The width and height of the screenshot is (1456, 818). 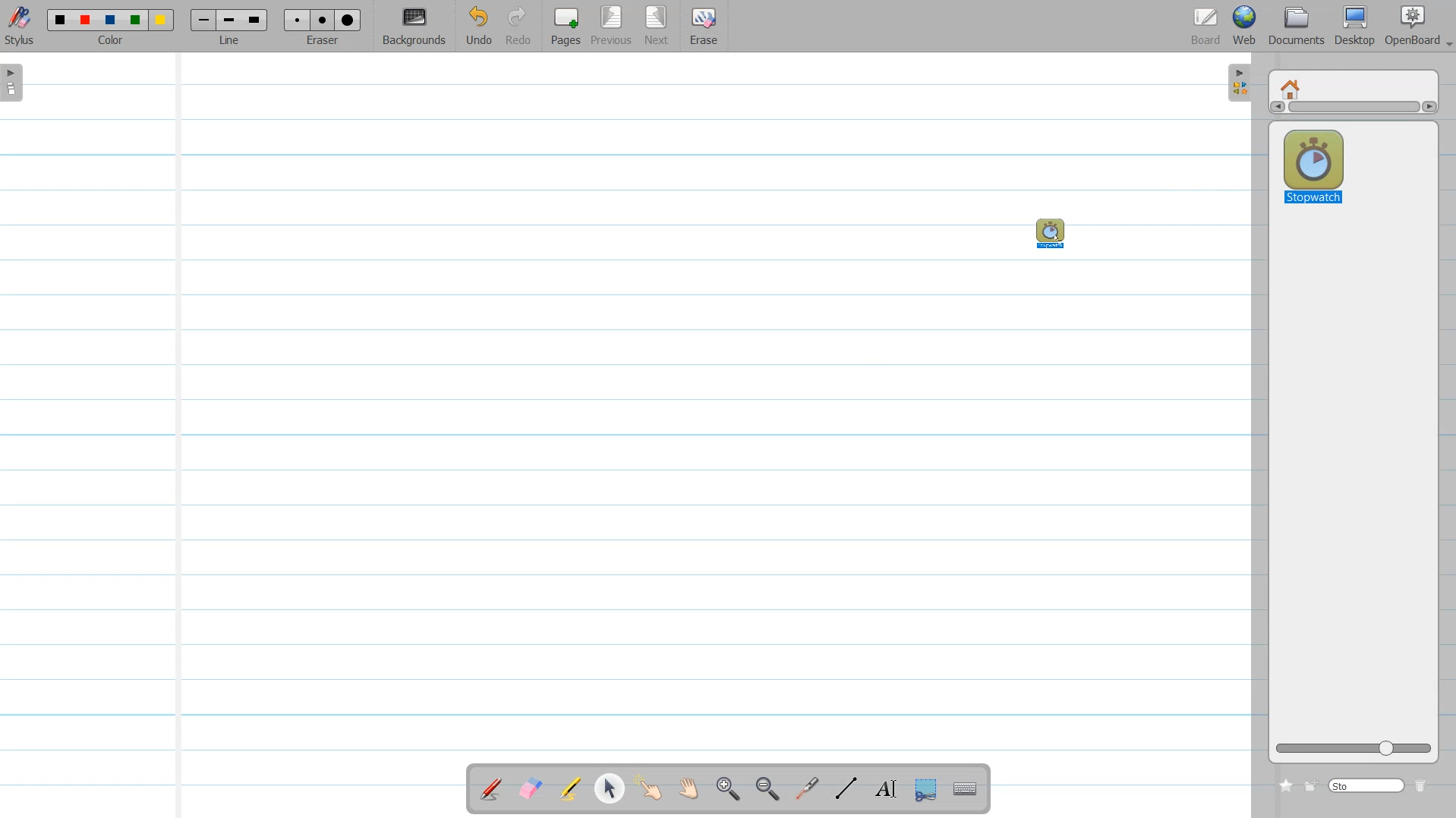 What do you see at coordinates (570, 788) in the screenshot?
I see `Highlight` at bounding box center [570, 788].